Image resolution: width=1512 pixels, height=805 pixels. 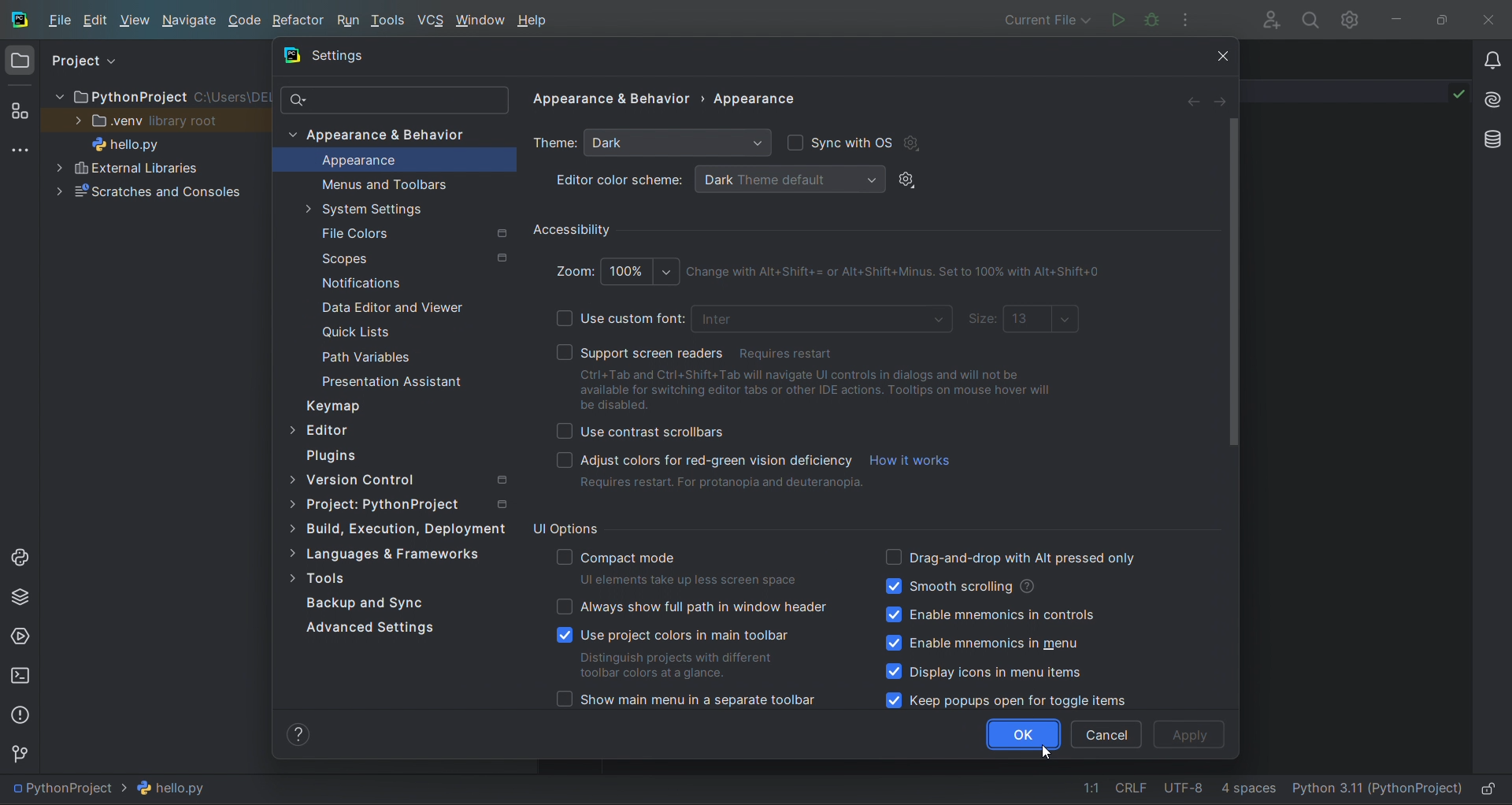 I want to click on database, so click(x=1492, y=141).